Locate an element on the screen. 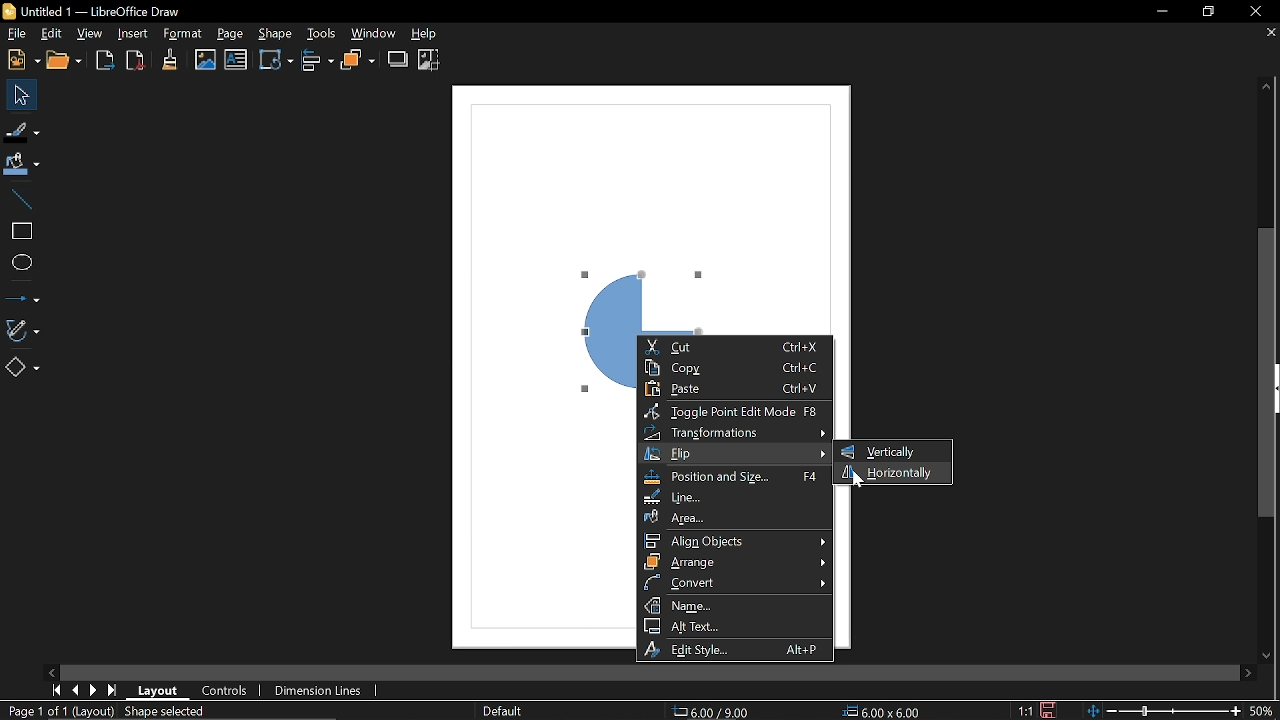 Image resolution: width=1280 pixels, height=720 pixels. Export is located at coordinates (105, 60).